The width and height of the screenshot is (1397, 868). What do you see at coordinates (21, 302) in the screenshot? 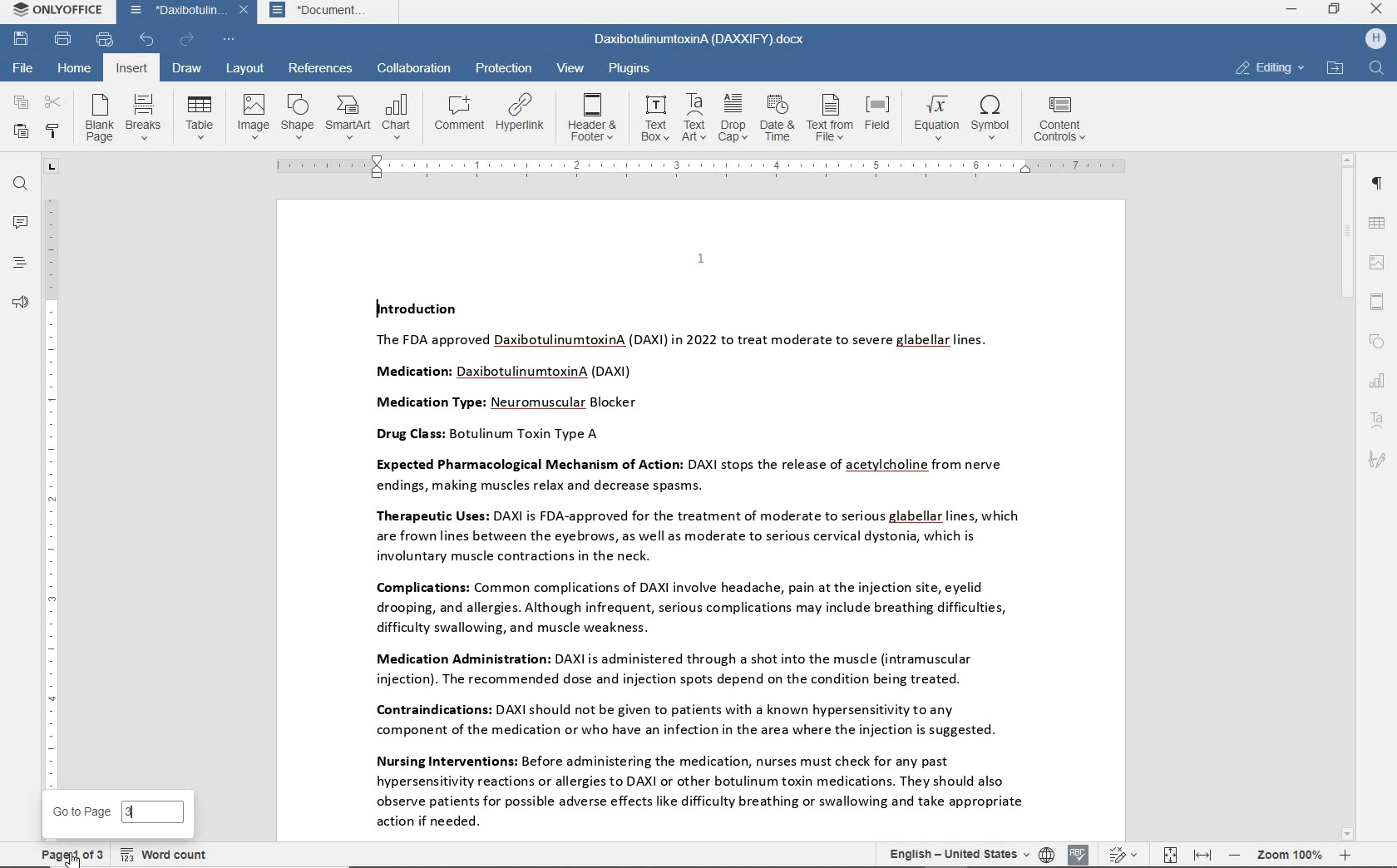
I see `support & feedback` at bounding box center [21, 302].